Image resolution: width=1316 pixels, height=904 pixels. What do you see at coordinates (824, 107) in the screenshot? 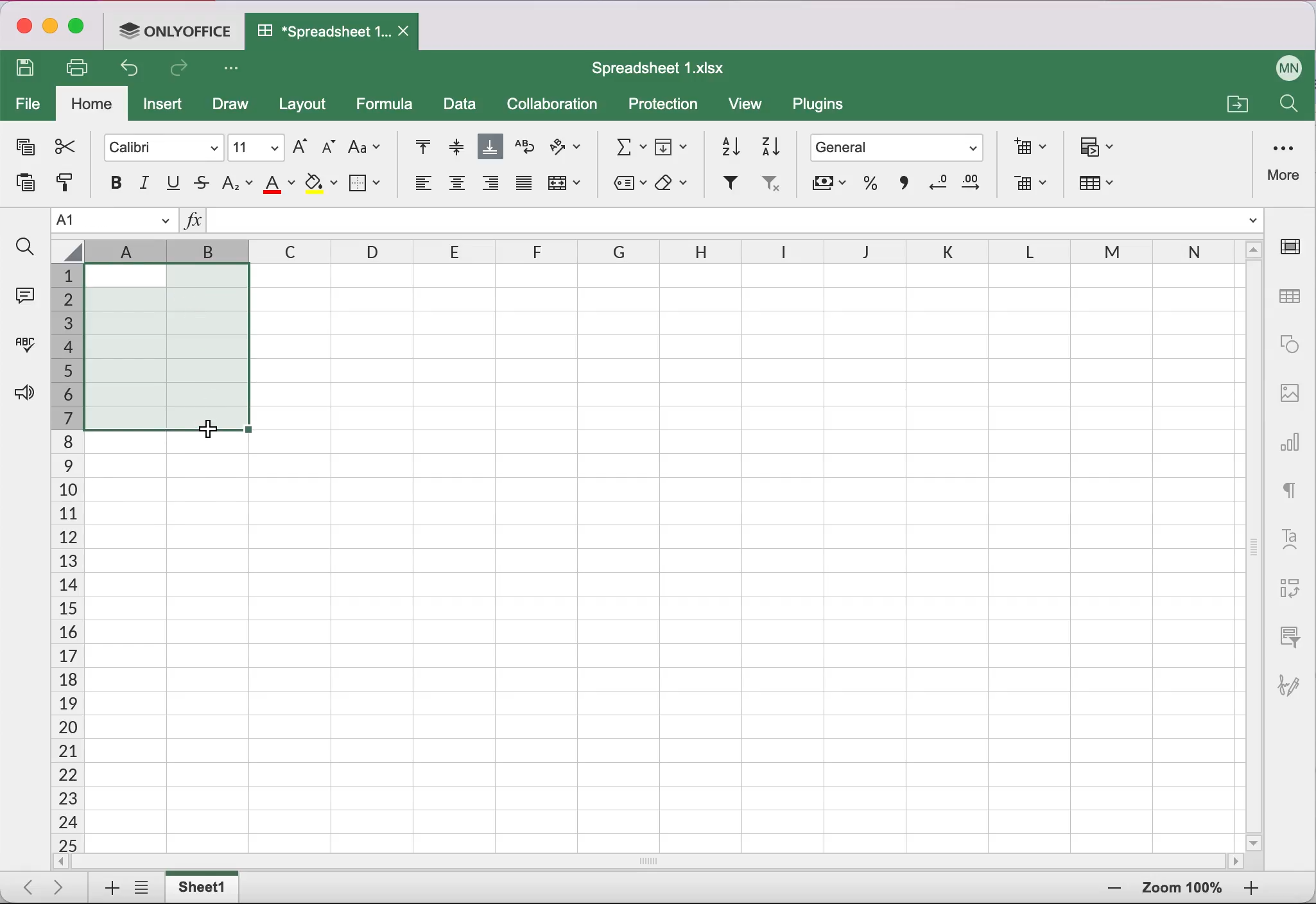
I see `plugins` at bounding box center [824, 107].